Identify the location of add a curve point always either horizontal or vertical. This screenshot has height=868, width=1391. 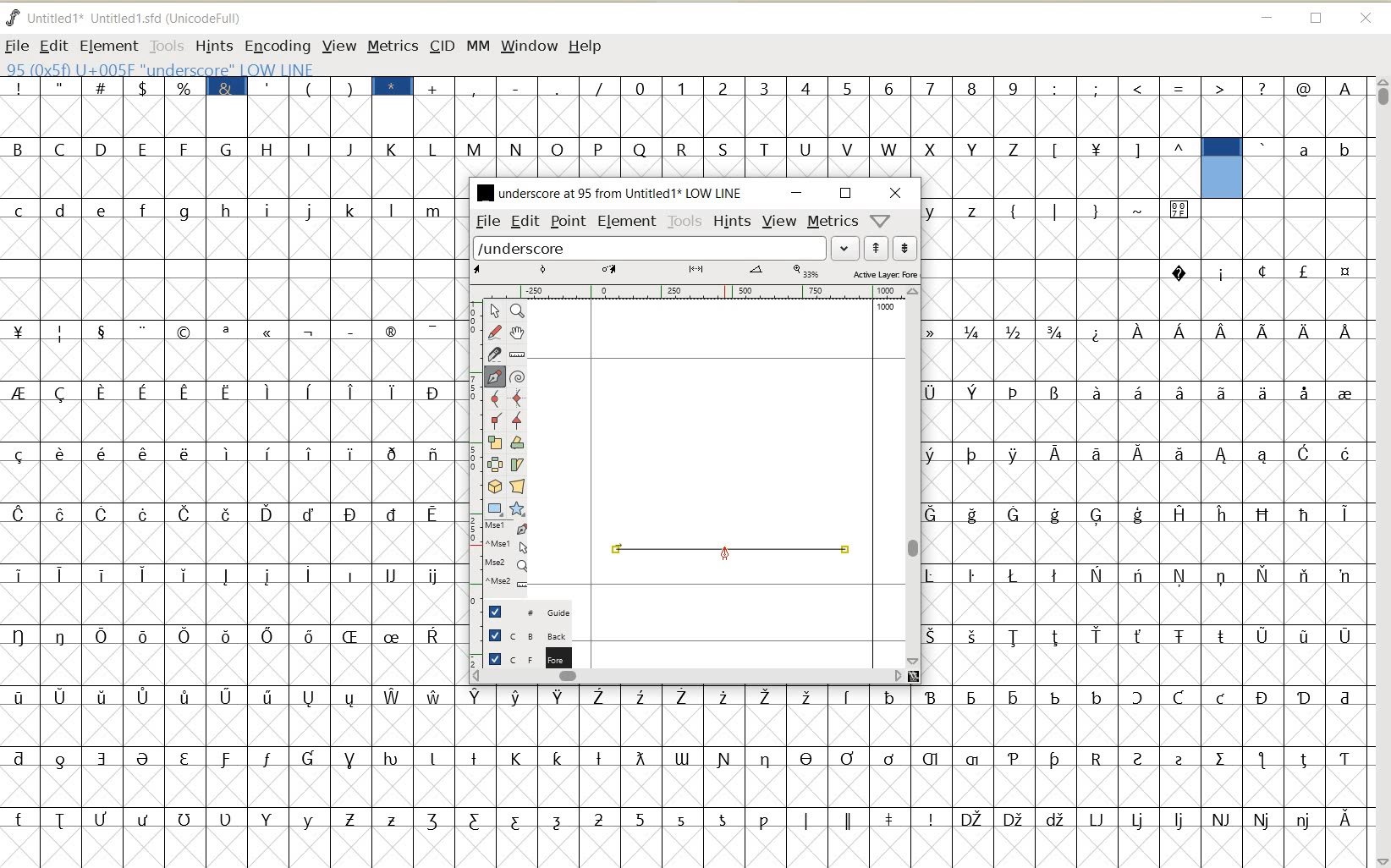
(518, 397).